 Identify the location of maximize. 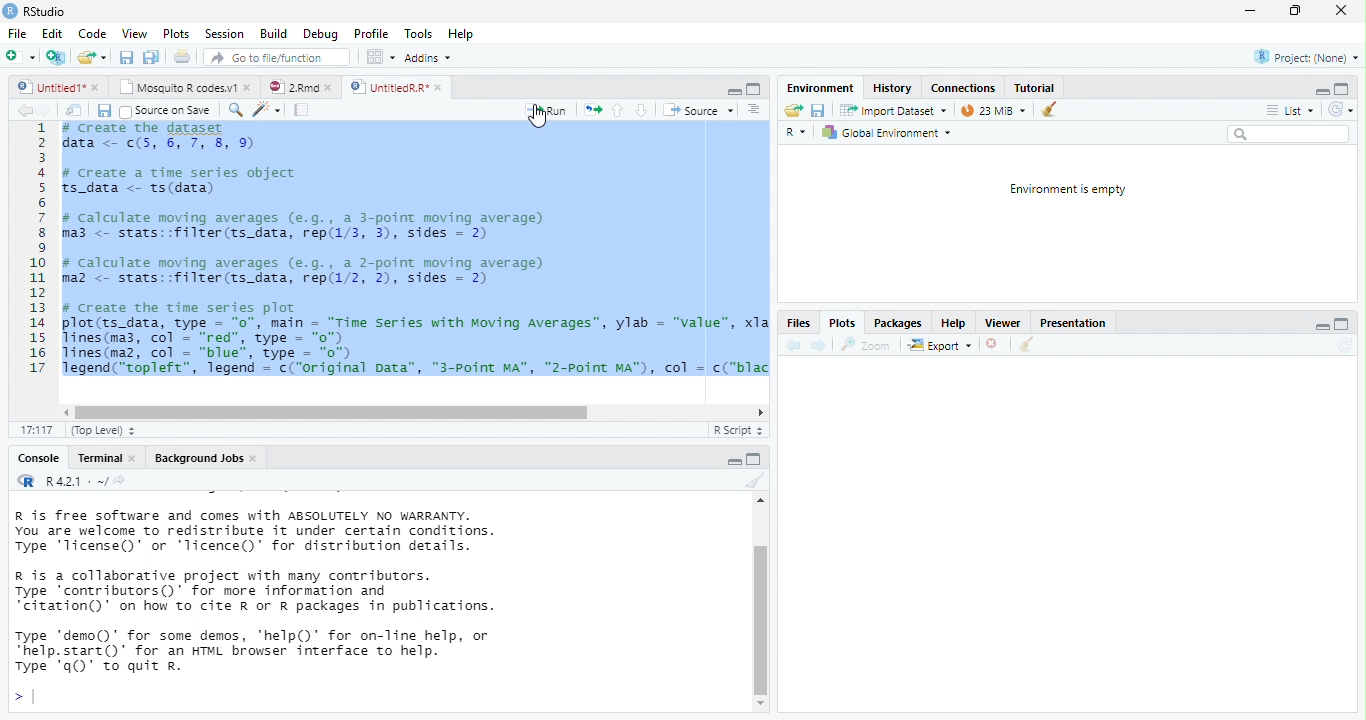
(754, 89).